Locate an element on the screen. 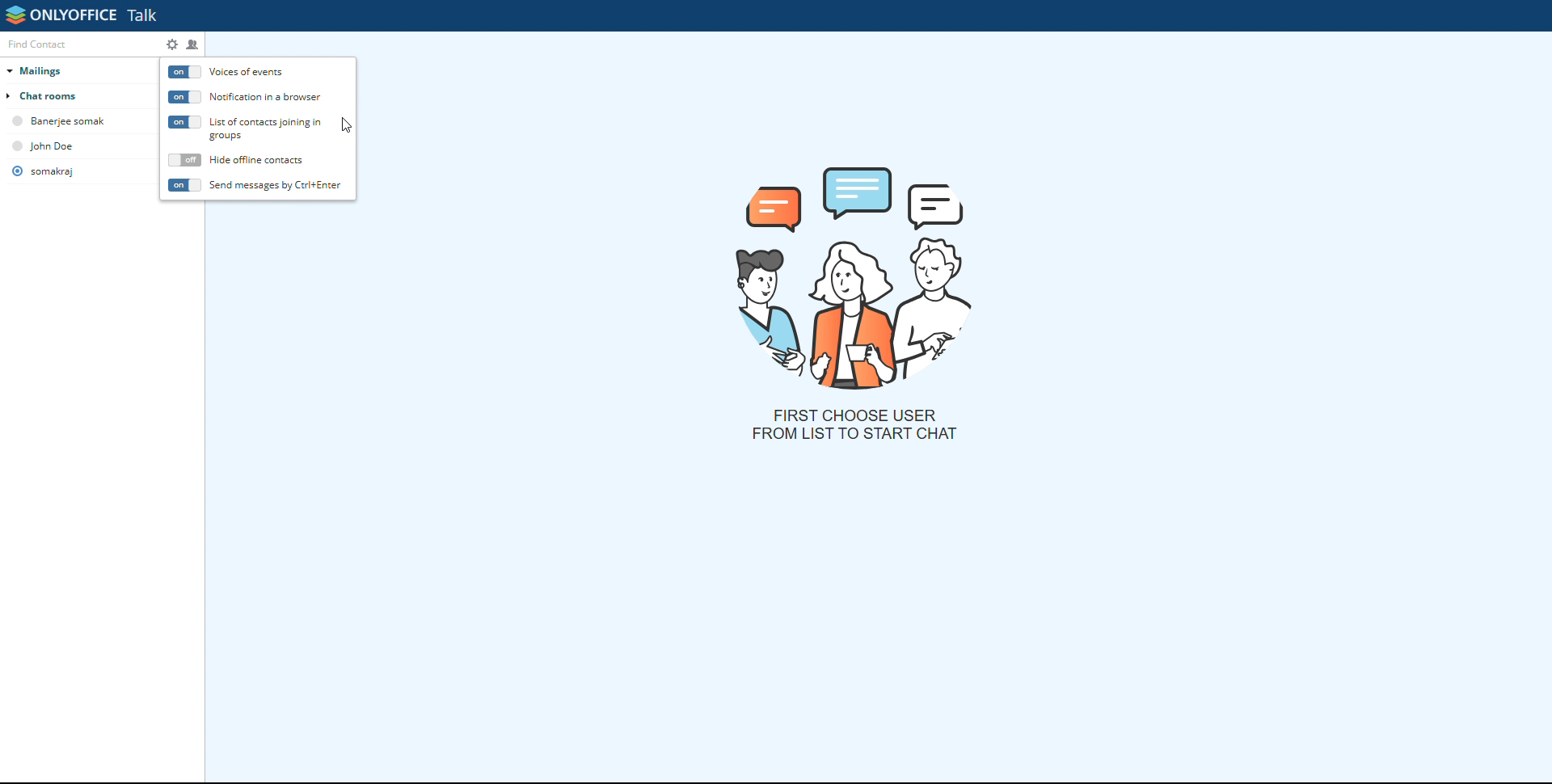 Image resolution: width=1552 pixels, height=784 pixels. notification in a browser is located at coordinates (267, 98).